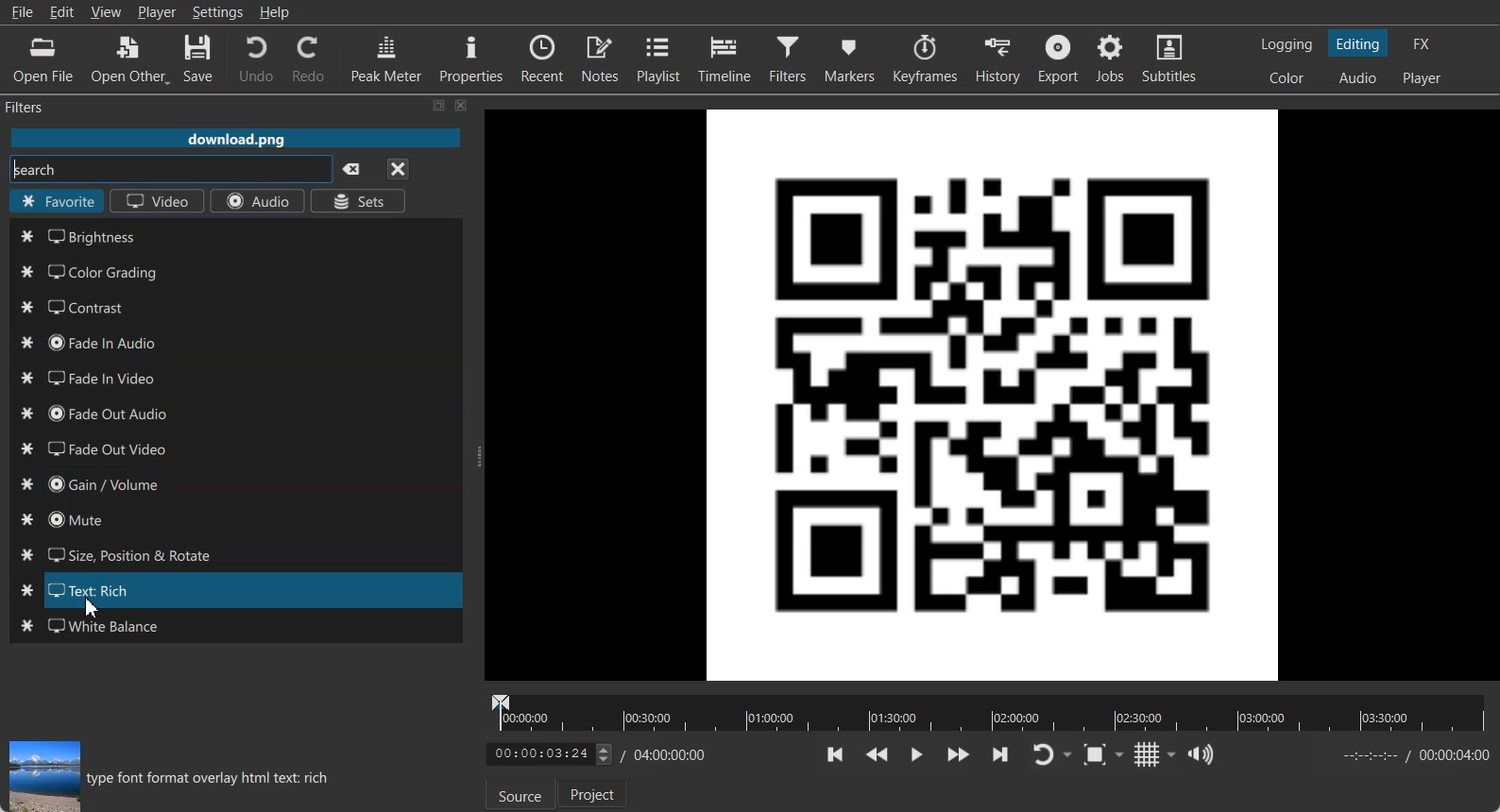 The image size is (1500, 812). What do you see at coordinates (925, 58) in the screenshot?
I see `Keyframes` at bounding box center [925, 58].